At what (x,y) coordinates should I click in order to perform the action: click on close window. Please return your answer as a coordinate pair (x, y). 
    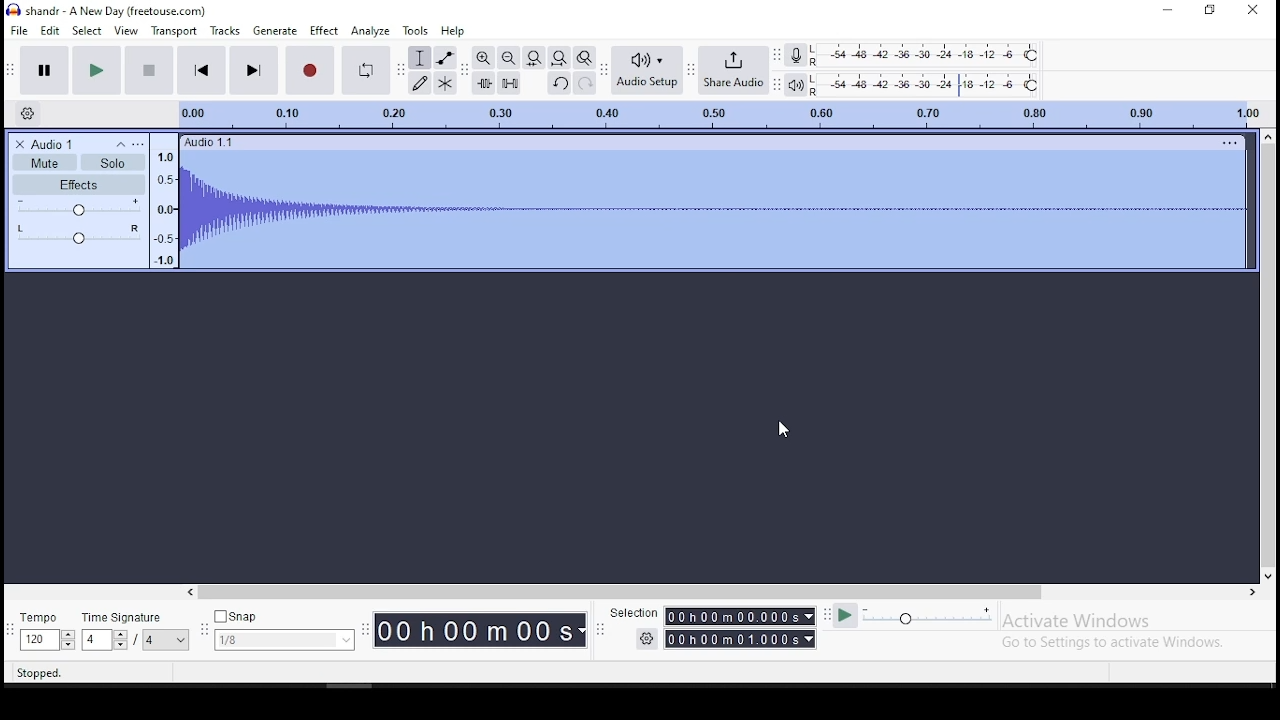
    Looking at the image, I should click on (1252, 11).